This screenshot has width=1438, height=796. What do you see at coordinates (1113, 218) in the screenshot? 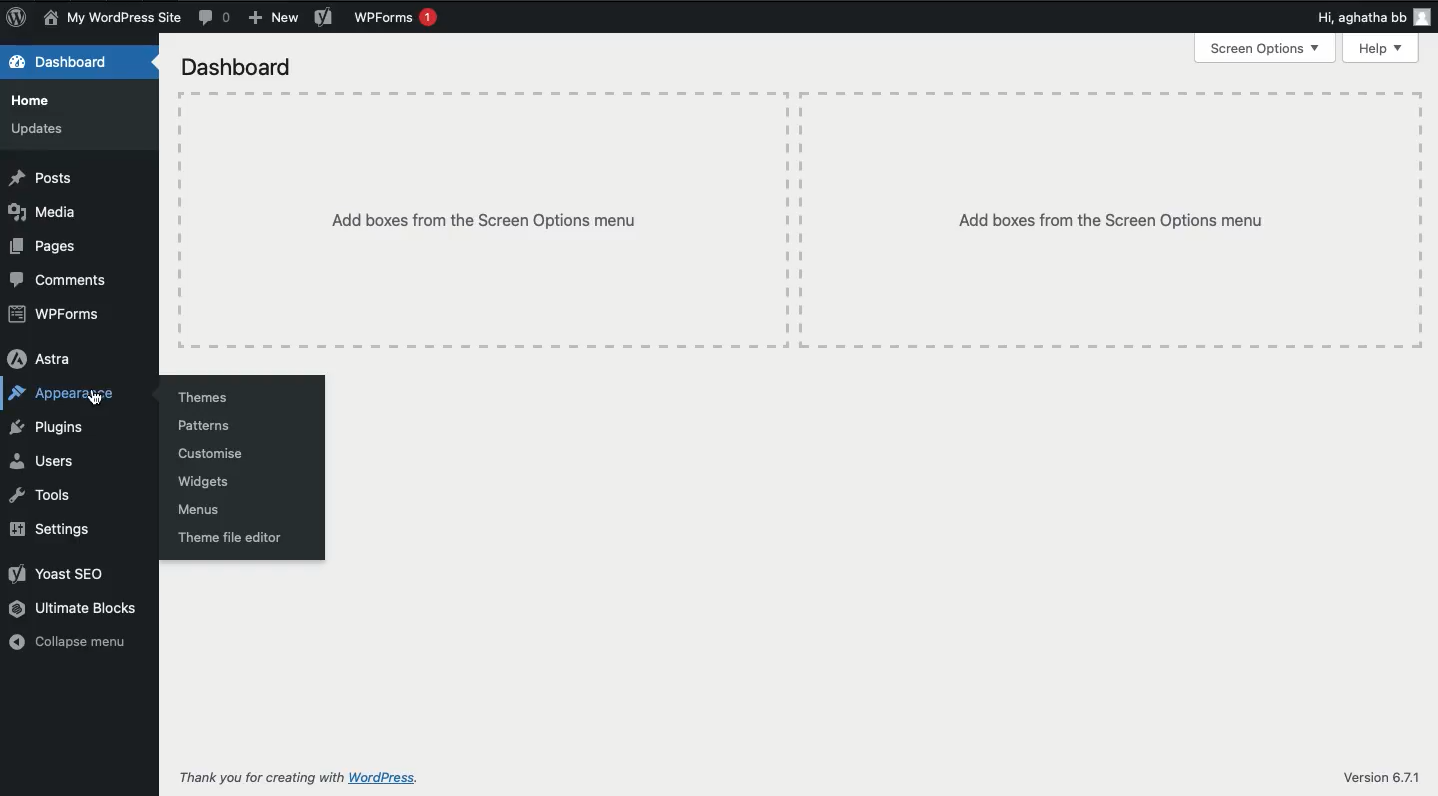
I see `Add boxes from the Screen Options menu` at bounding box center [1113, 218].